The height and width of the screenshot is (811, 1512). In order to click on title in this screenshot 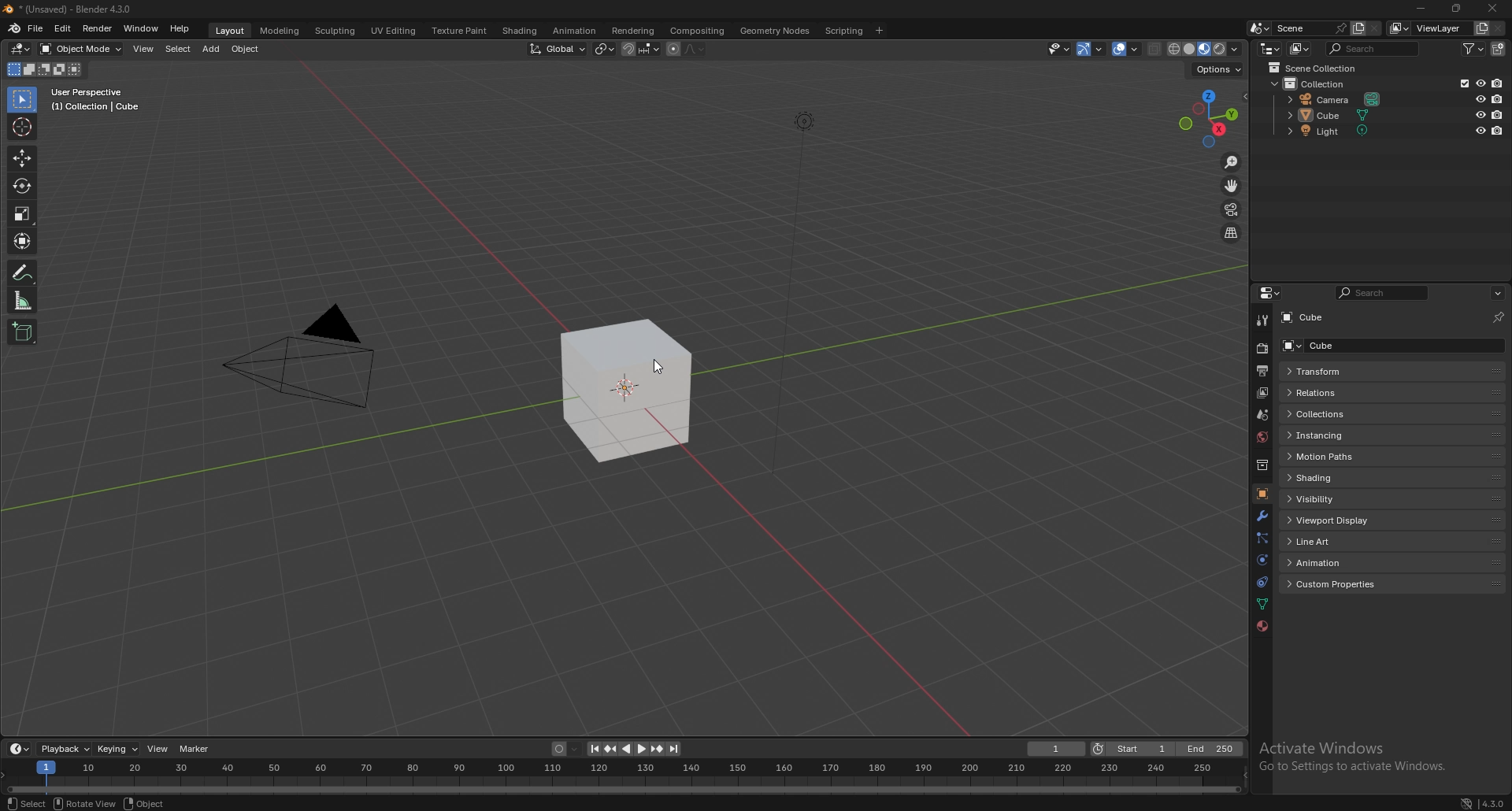, I will do `click(71, 9)`.